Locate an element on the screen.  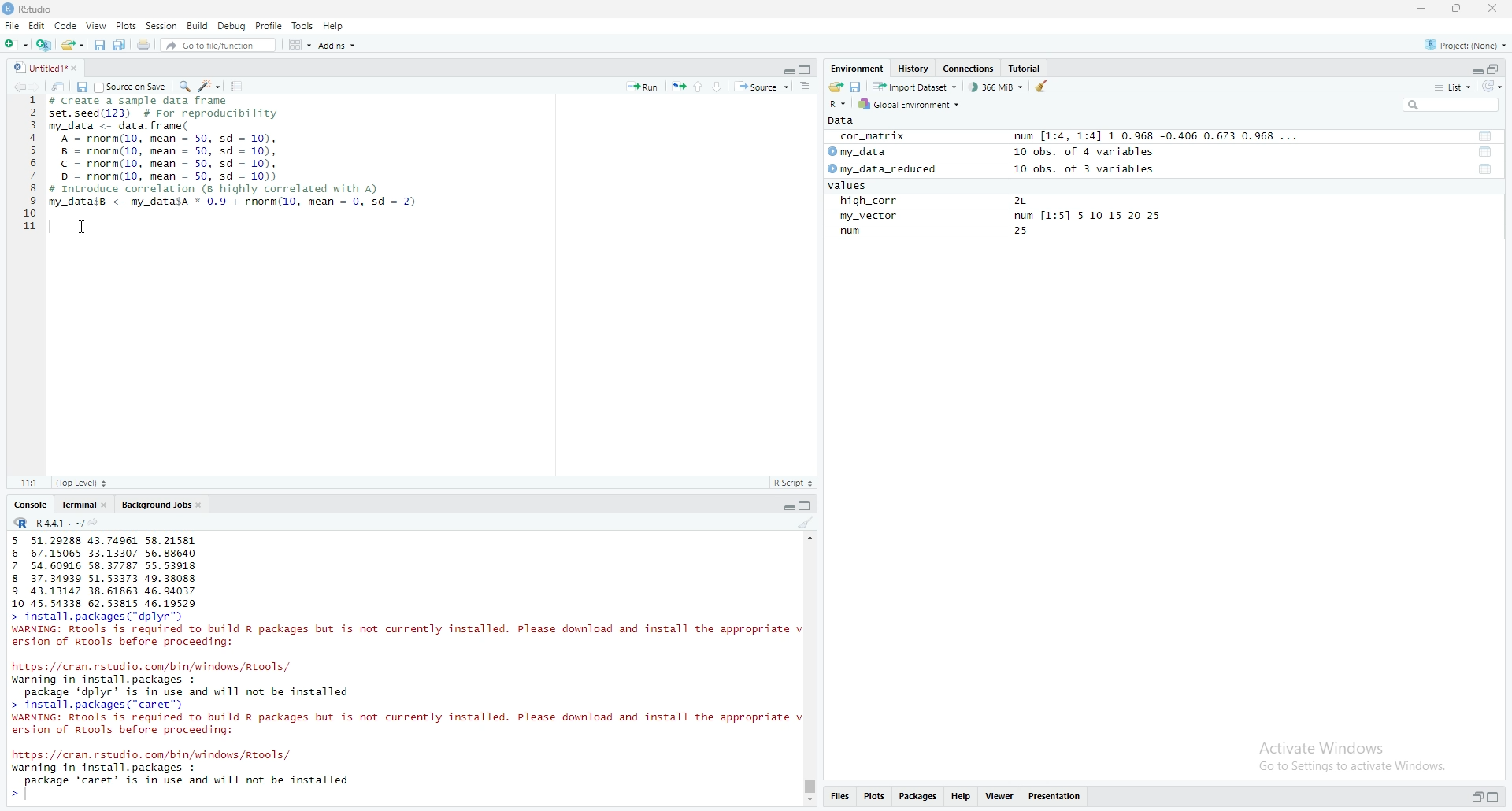
open in separate window is located at coordinates (1495, 69).